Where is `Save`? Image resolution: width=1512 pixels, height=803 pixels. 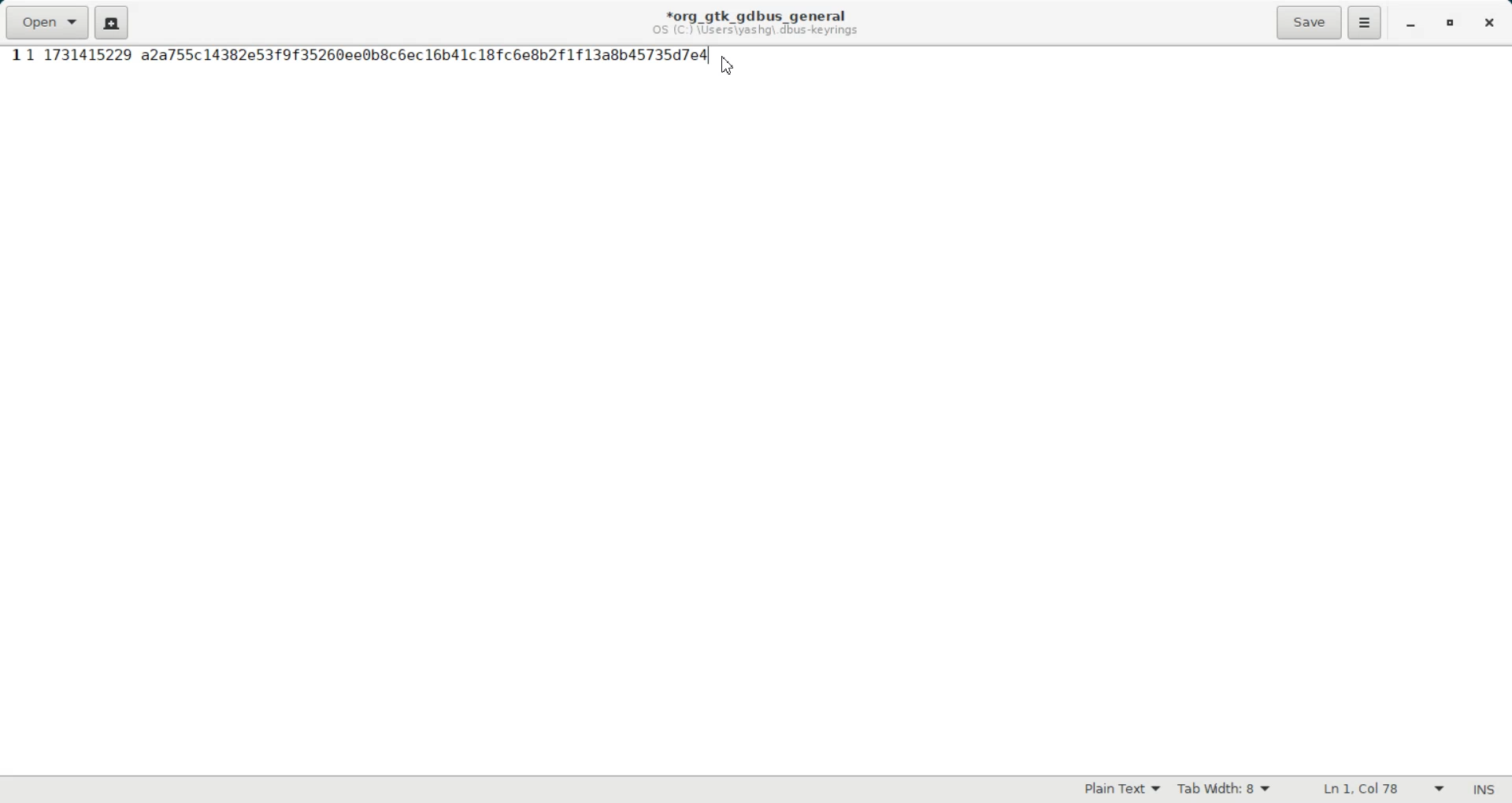 Save is located at coordinates (1308, 22).